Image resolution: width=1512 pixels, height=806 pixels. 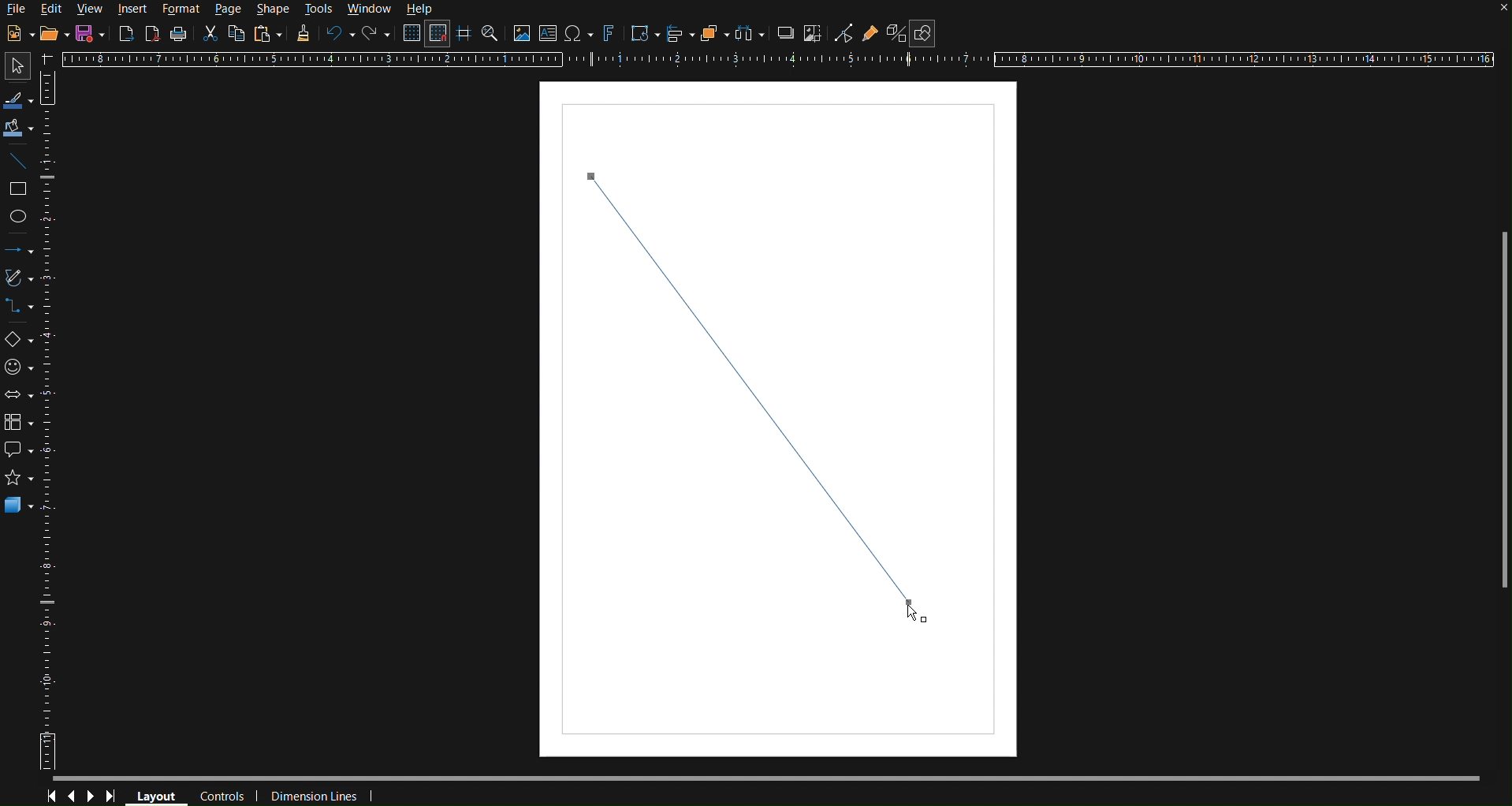 I want to click on Symbol Shapes, so click(x=18, y=367).